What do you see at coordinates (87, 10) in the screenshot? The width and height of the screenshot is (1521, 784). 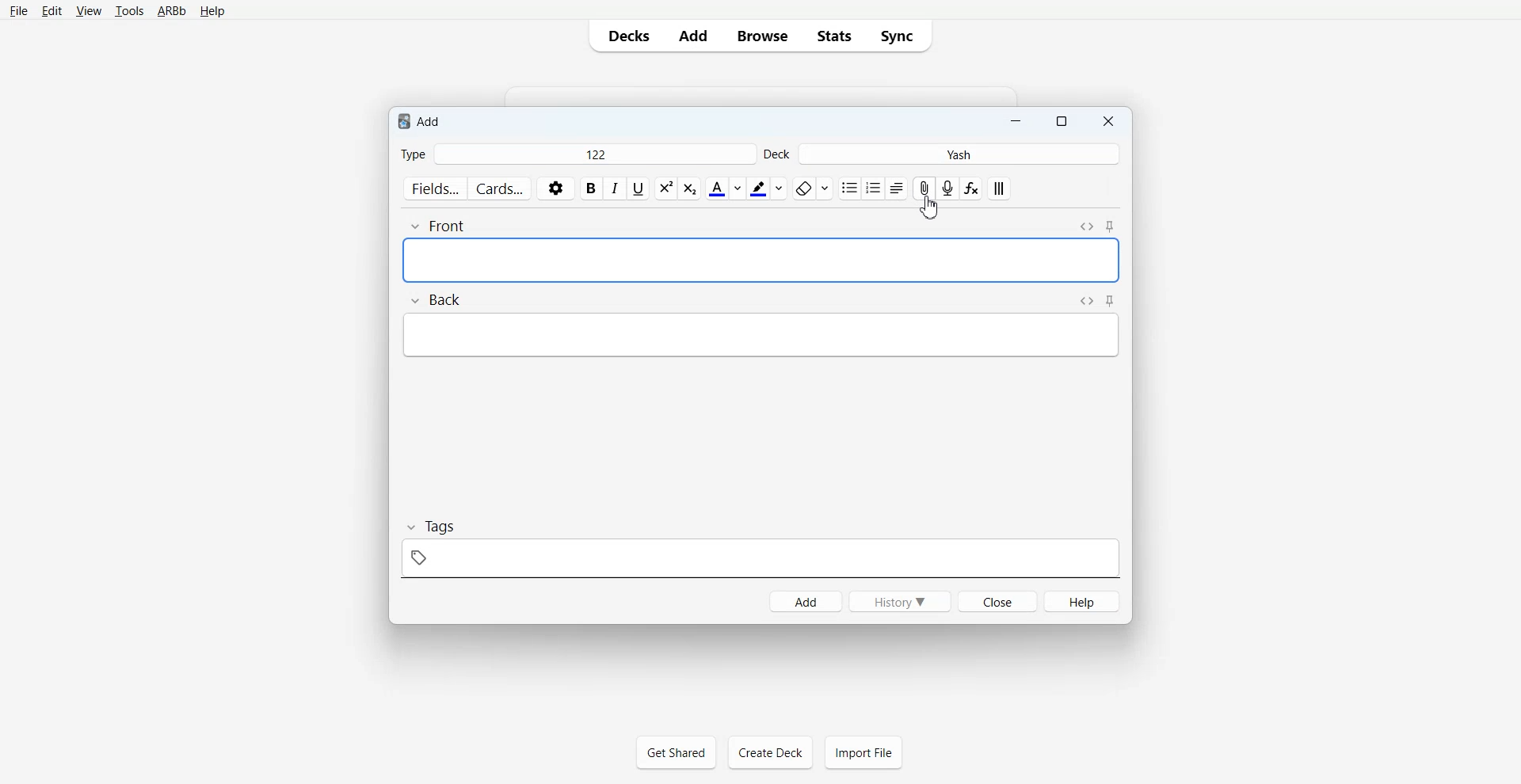 I see `View` at bounding box center [87, 10].